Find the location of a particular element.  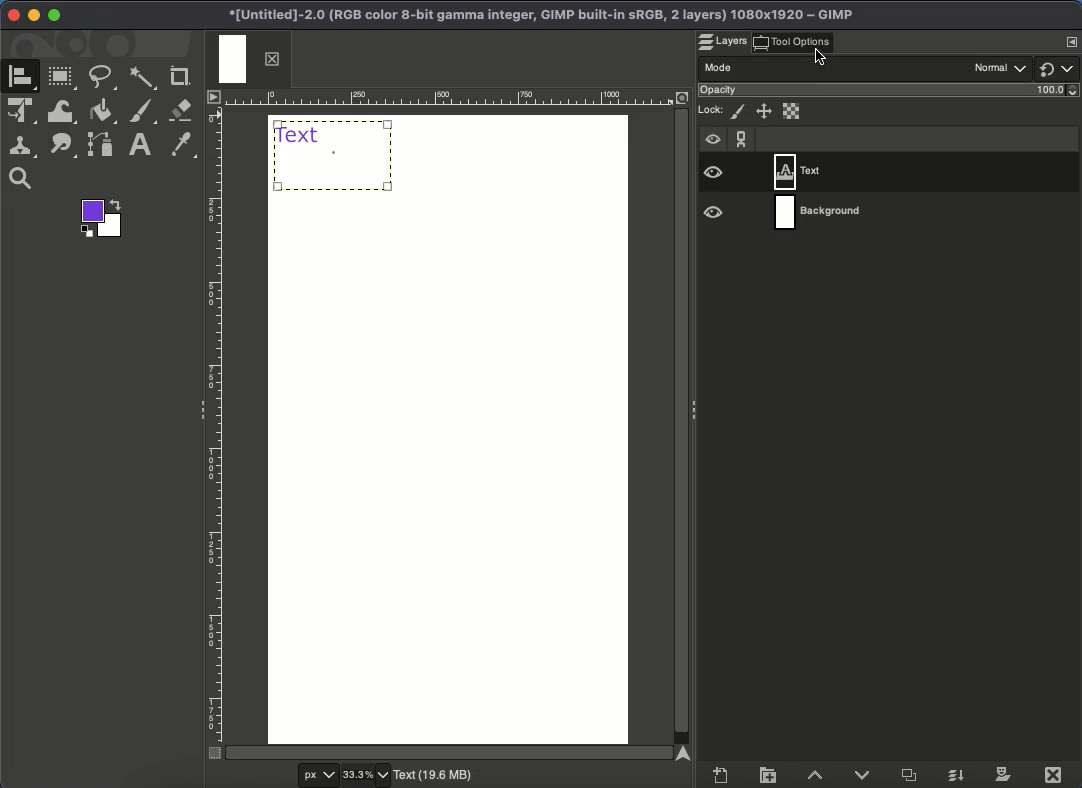

Path is located at coordinates (99, 147).